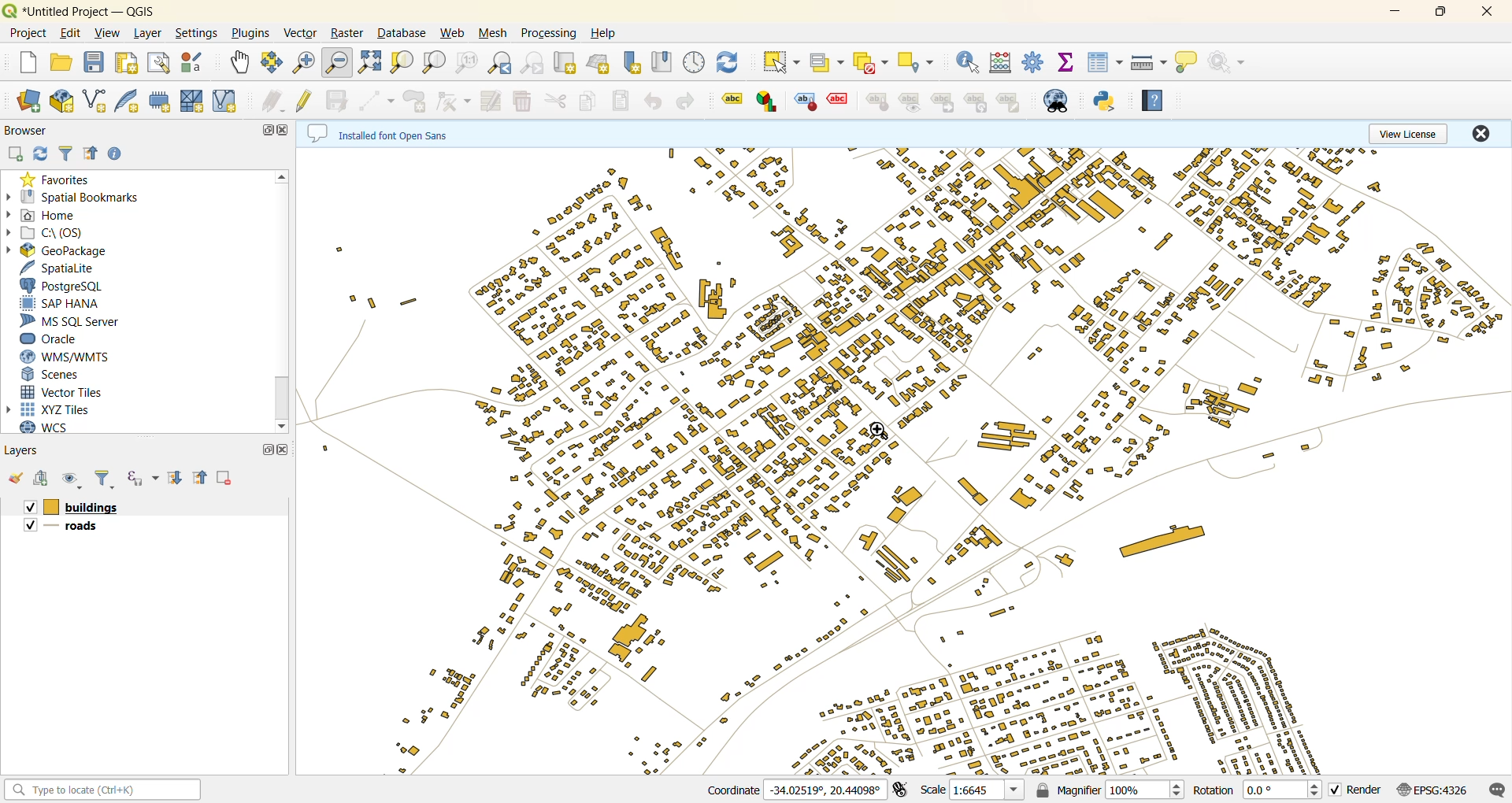 This screenshot has width=1512, height=803. I want to click on label, so click(734, 101).